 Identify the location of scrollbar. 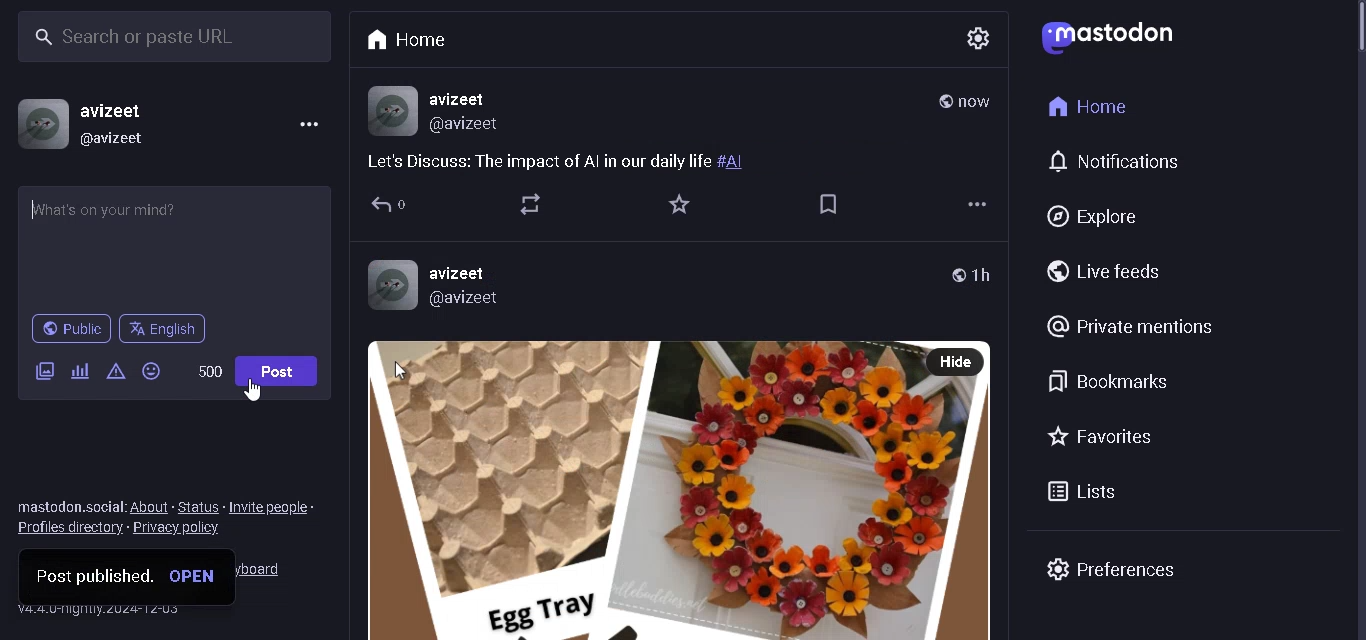
(1339, 36).